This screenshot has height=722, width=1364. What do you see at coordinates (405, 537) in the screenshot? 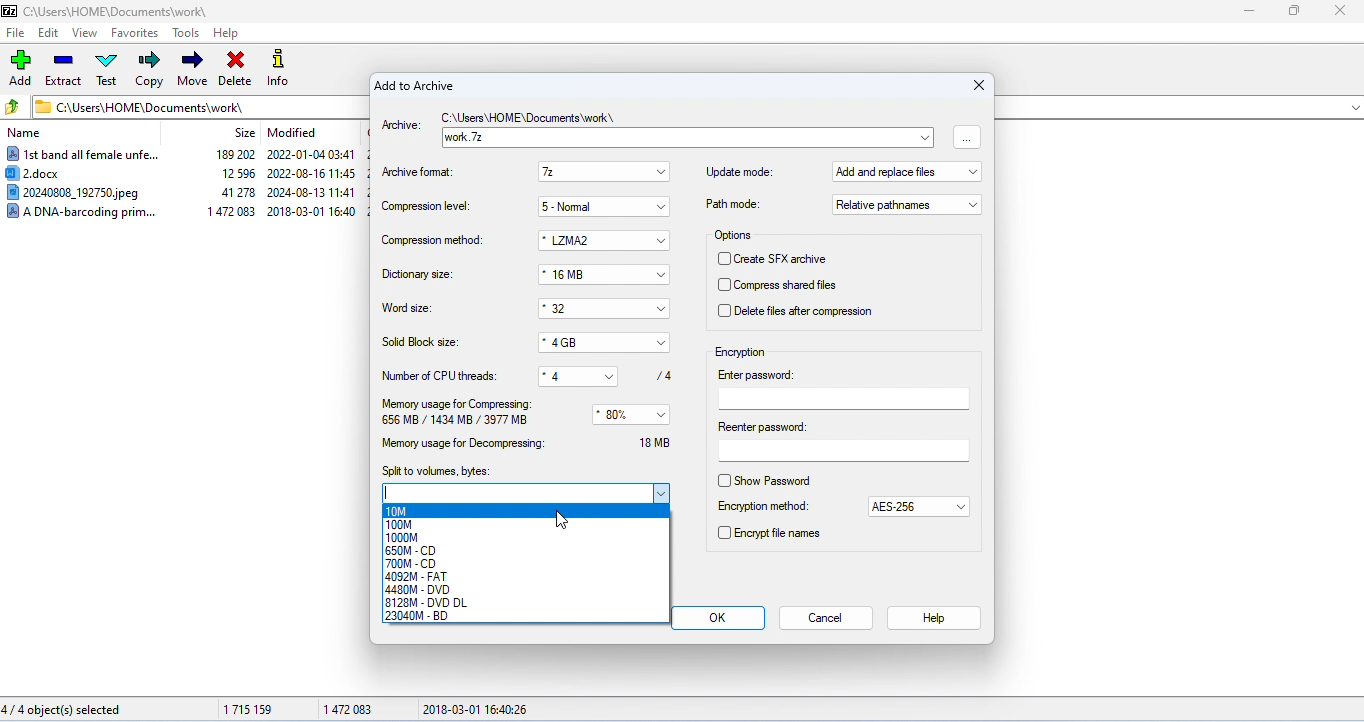
I see `1000M` at bounding box center [405, 537].